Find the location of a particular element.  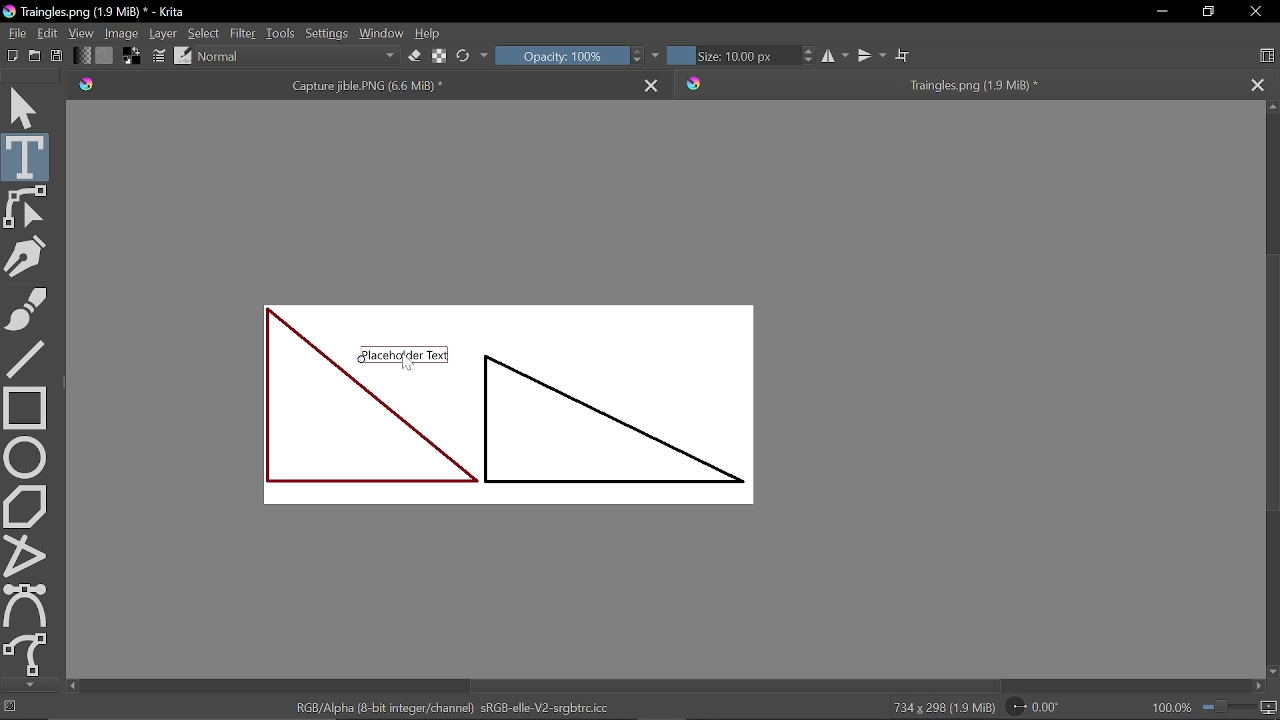

choose brush preset is located at coordinates (182, 56).